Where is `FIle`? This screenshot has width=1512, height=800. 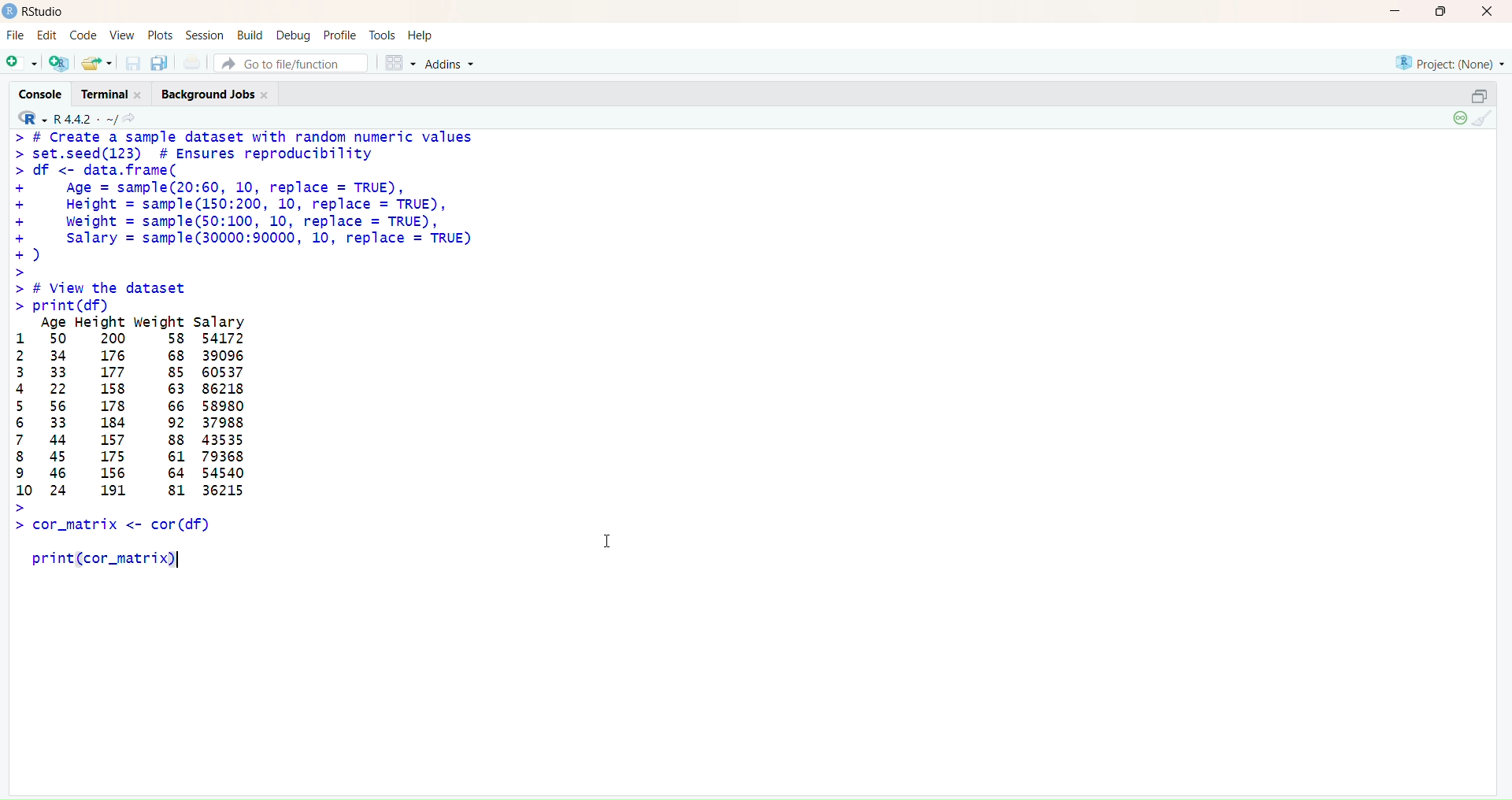
FIle is located at coordinates (16, 35).